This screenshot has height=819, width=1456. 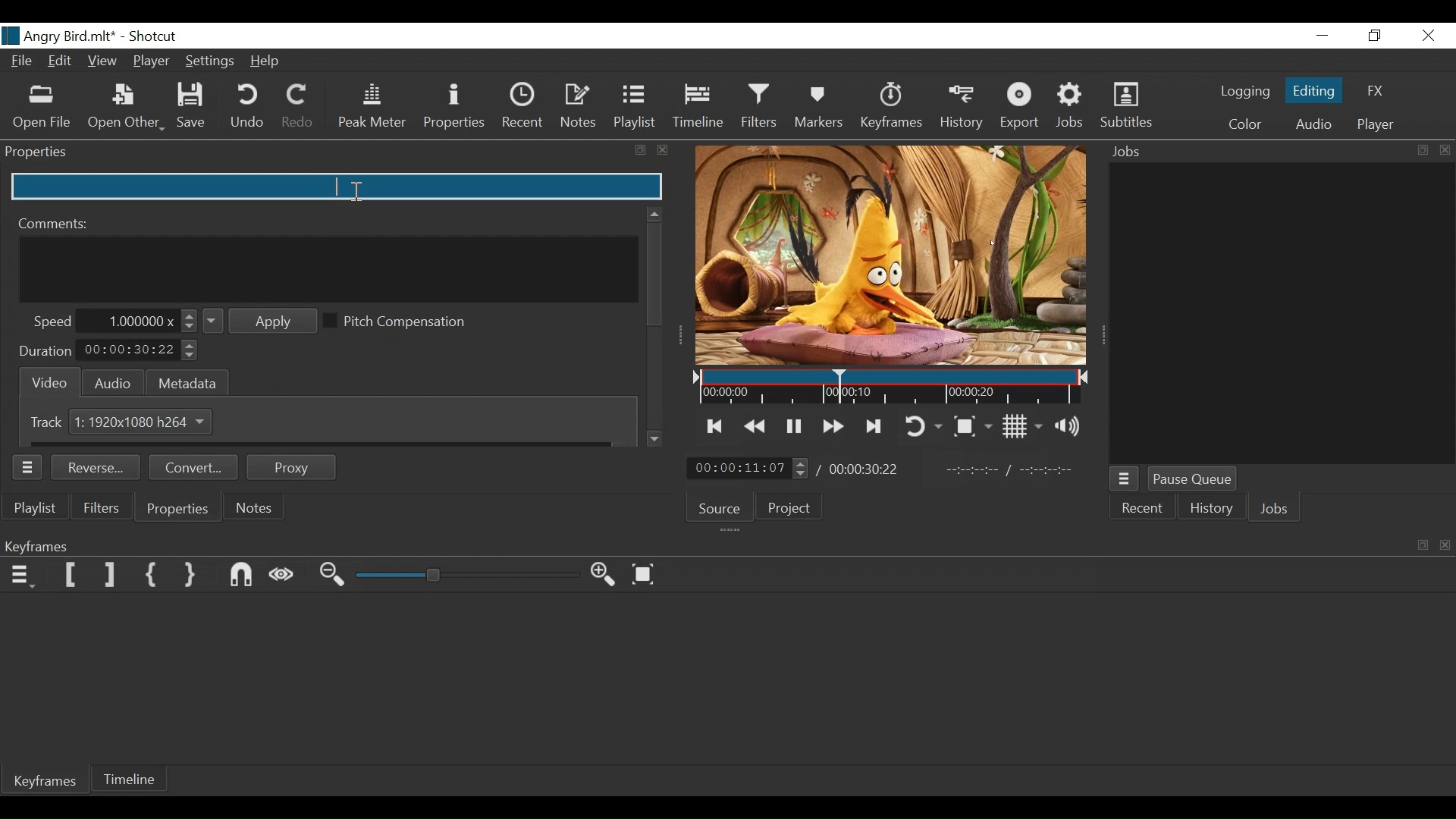 I want to click on Adjust Speed, so click(x=143, y=321).